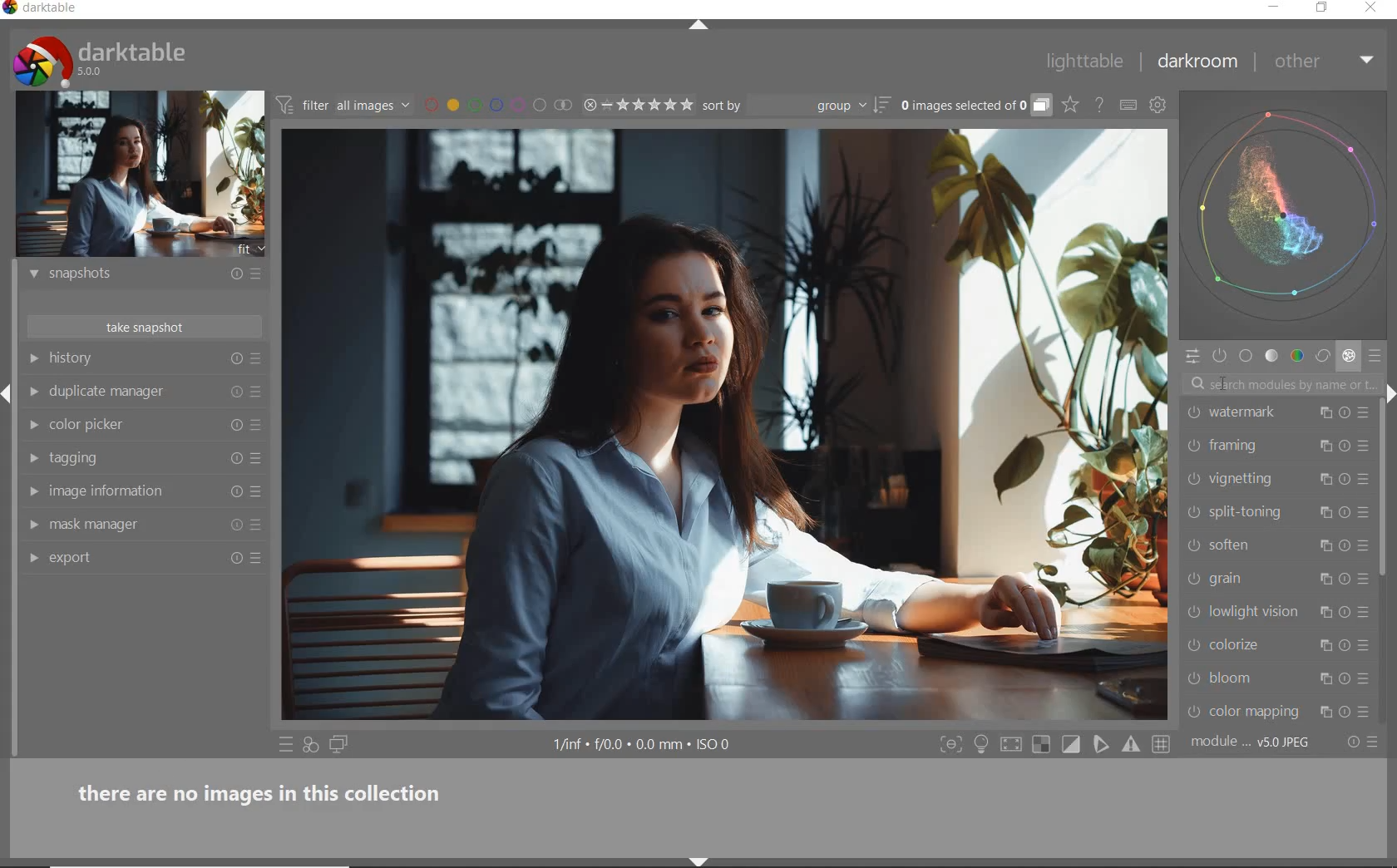  What do you see at coordinates (258, 526) in the screenshot?
I see `preset and preferences` at bounding box center [258, 526].